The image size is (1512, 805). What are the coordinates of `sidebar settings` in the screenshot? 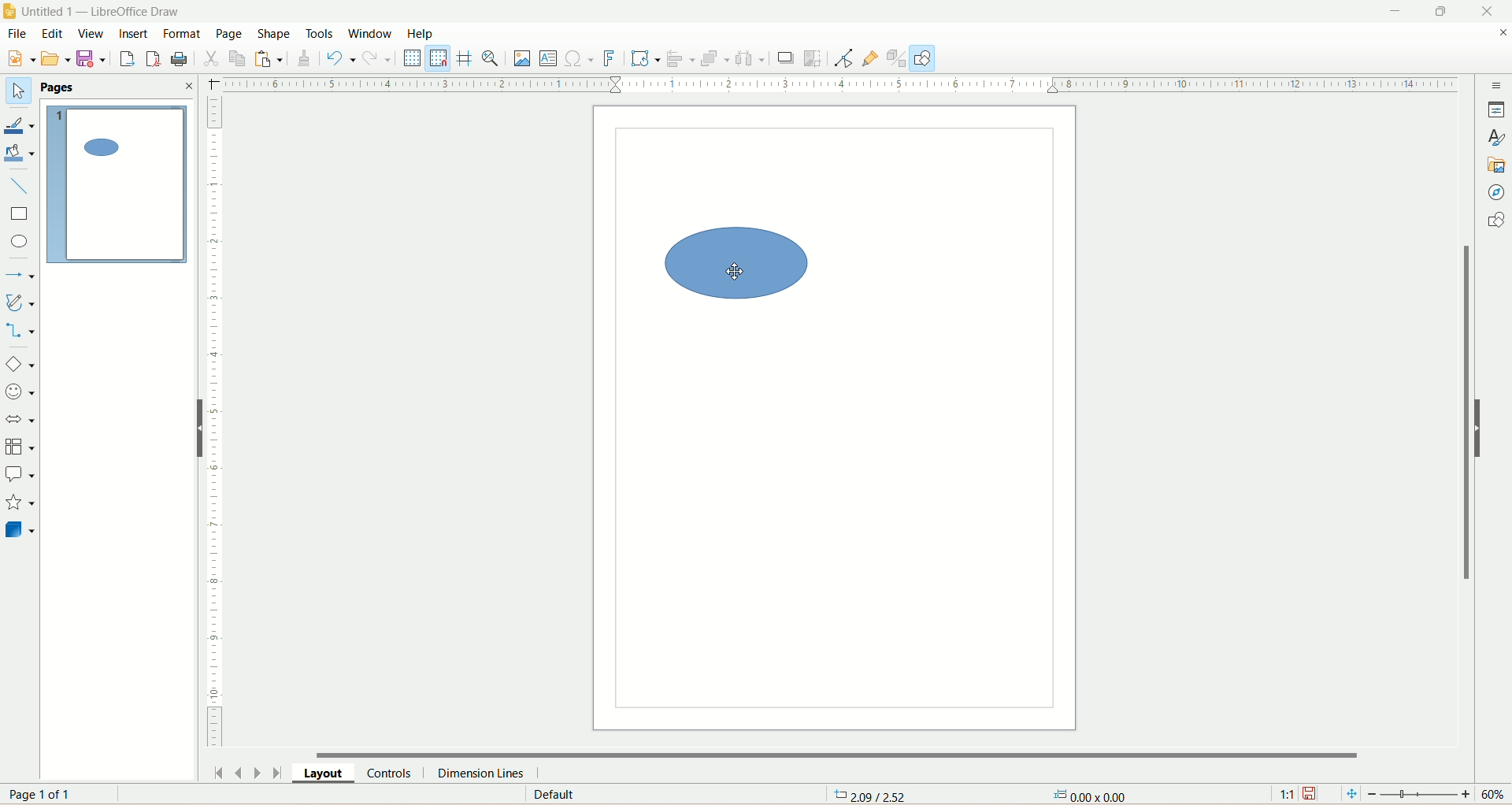 It's located at (1497, 87).